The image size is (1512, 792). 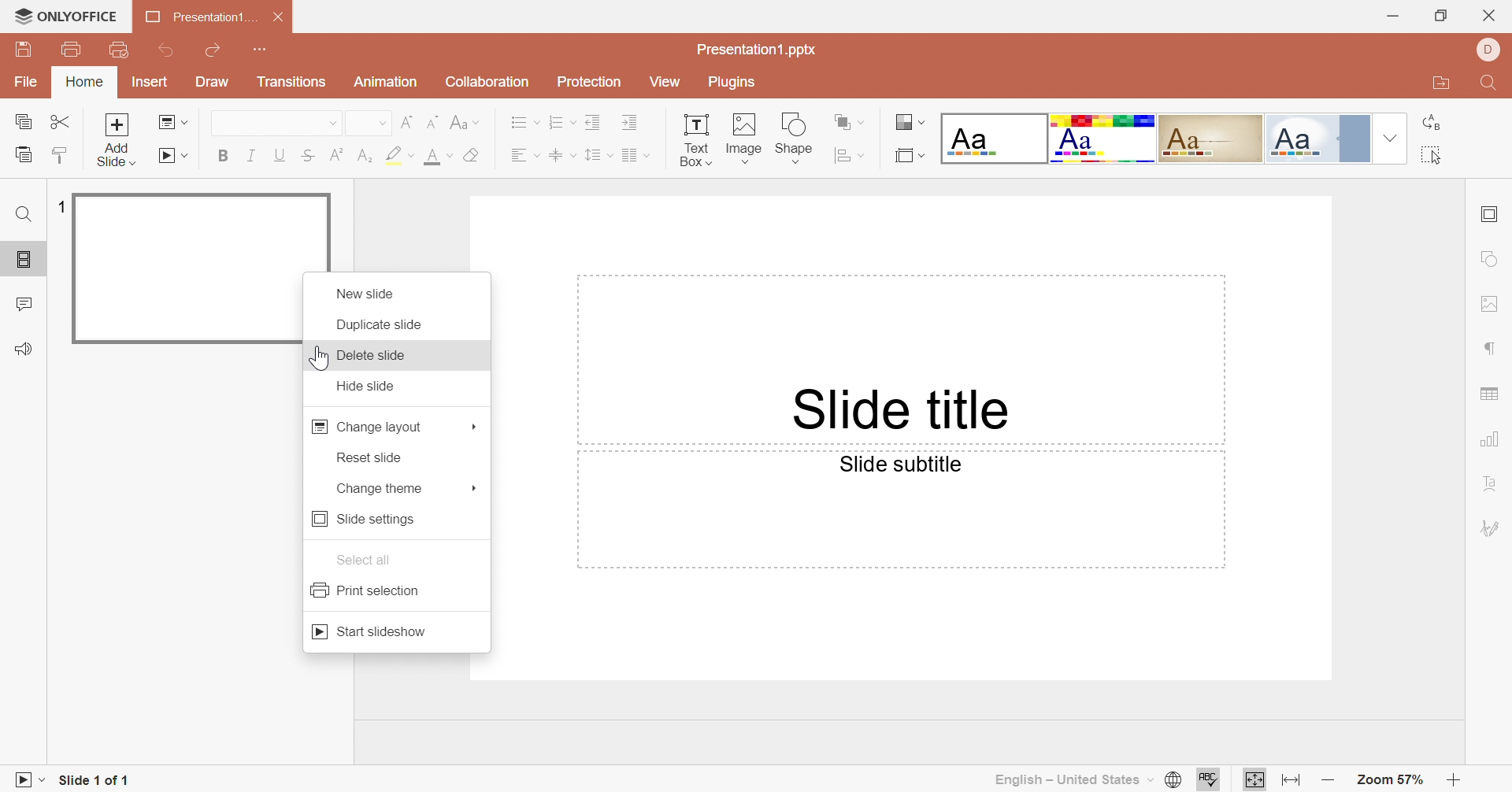 What do you see at coordinates (1390, 16) in the screenshot?
I see `Minimize` at bounding box center [1390, 16].